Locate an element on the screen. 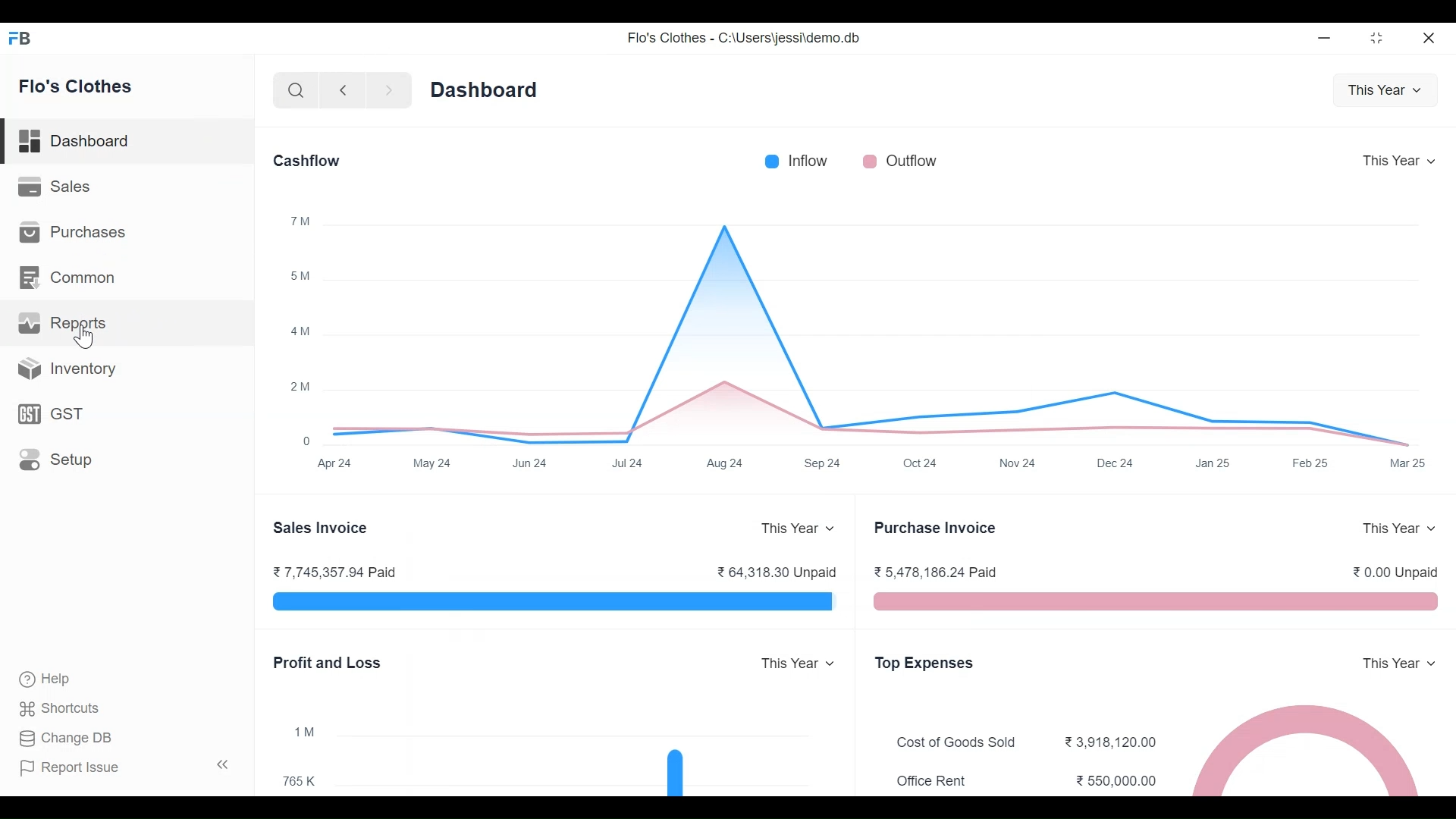  dashboard is located at coordinates (77, 144).